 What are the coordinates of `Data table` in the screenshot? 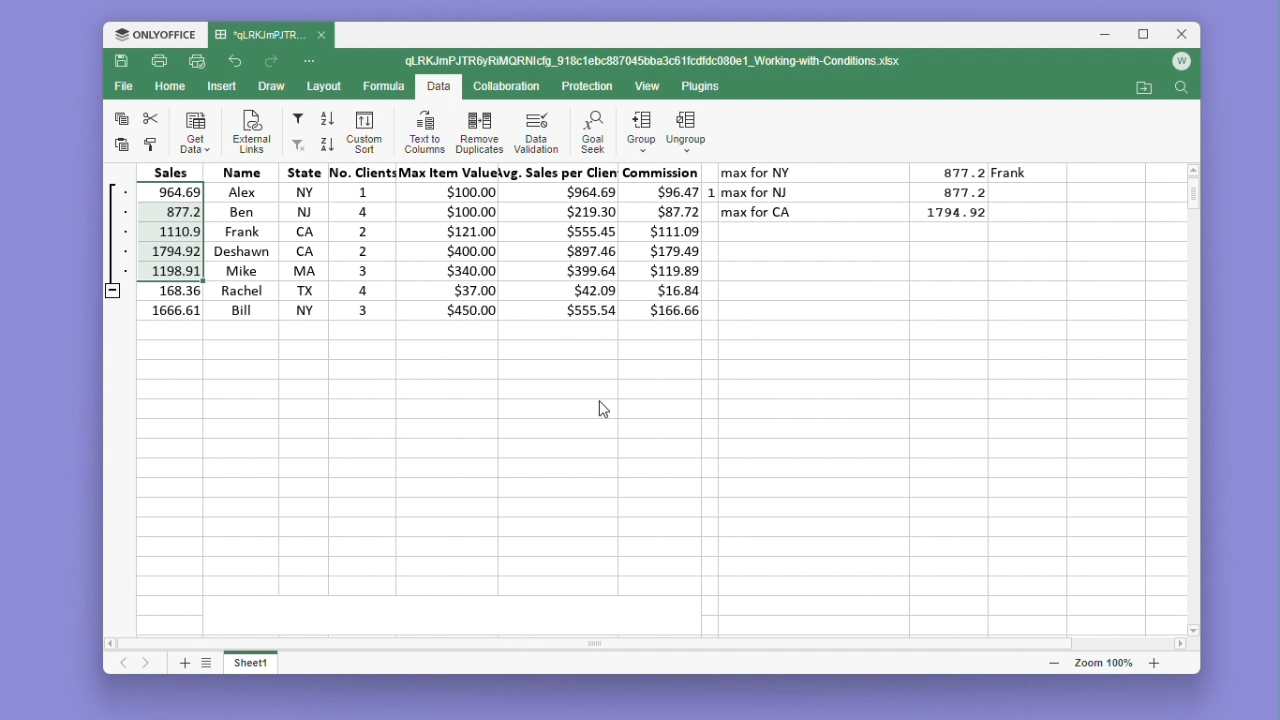 It's located at (873, 196).